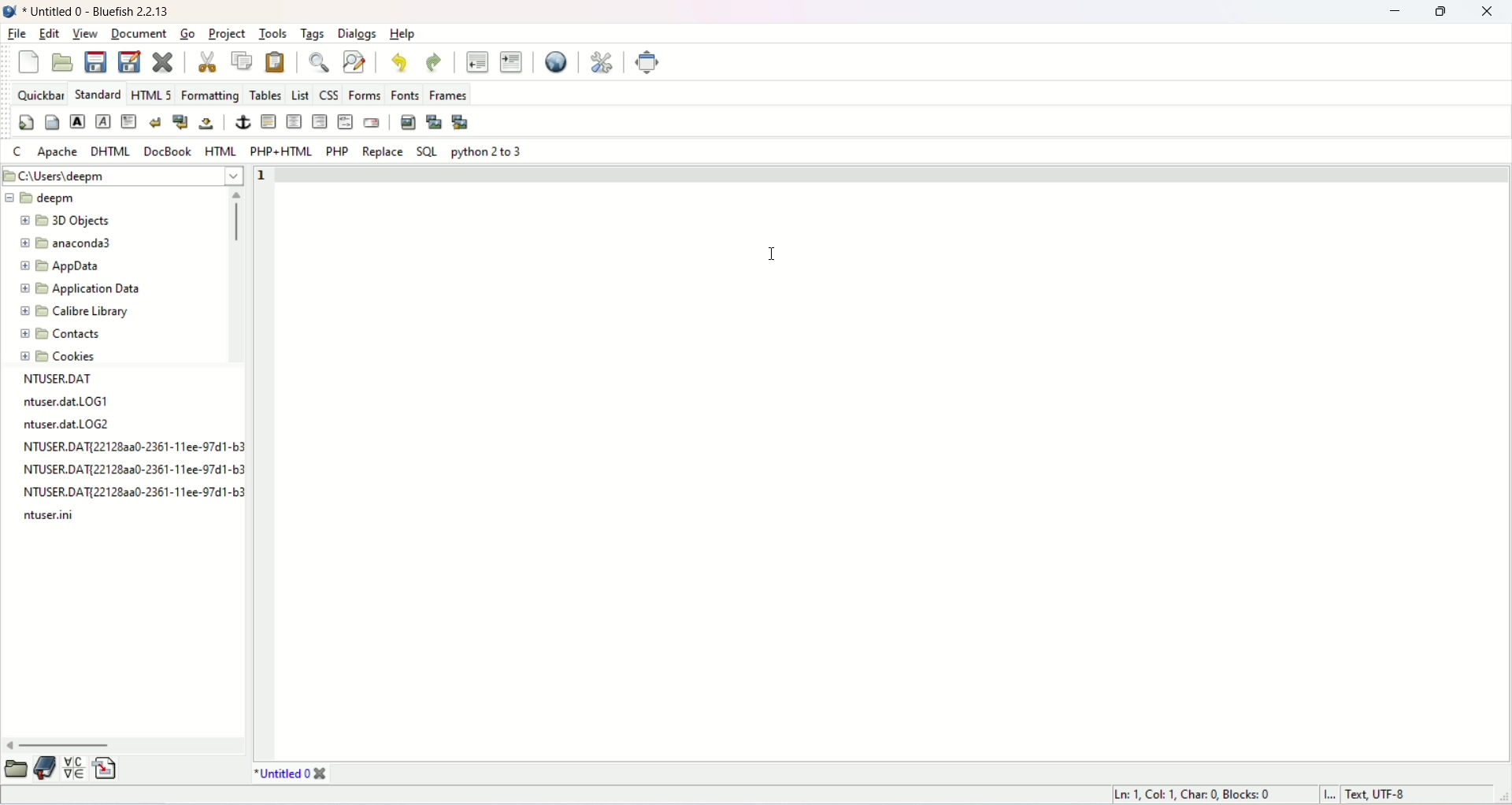 Image resolution: width=1512 pixels, height=805 pixels. What do you see at coordinates (1440, 12) in the screenshot?
I see `maximize` at bounding box center [1440, 12].